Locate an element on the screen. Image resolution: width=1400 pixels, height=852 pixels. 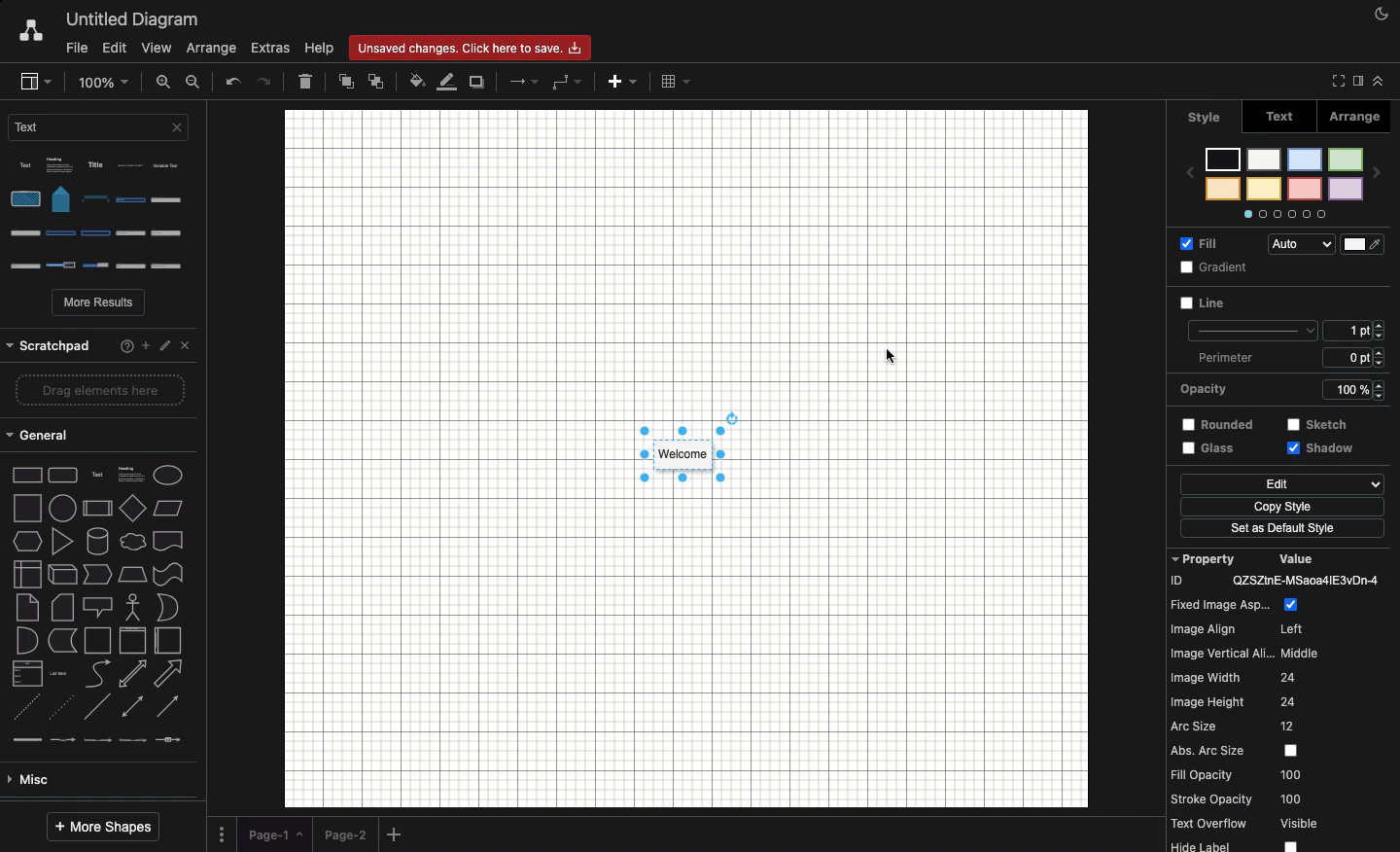
Zoom in is located at coordinates (164, 81).